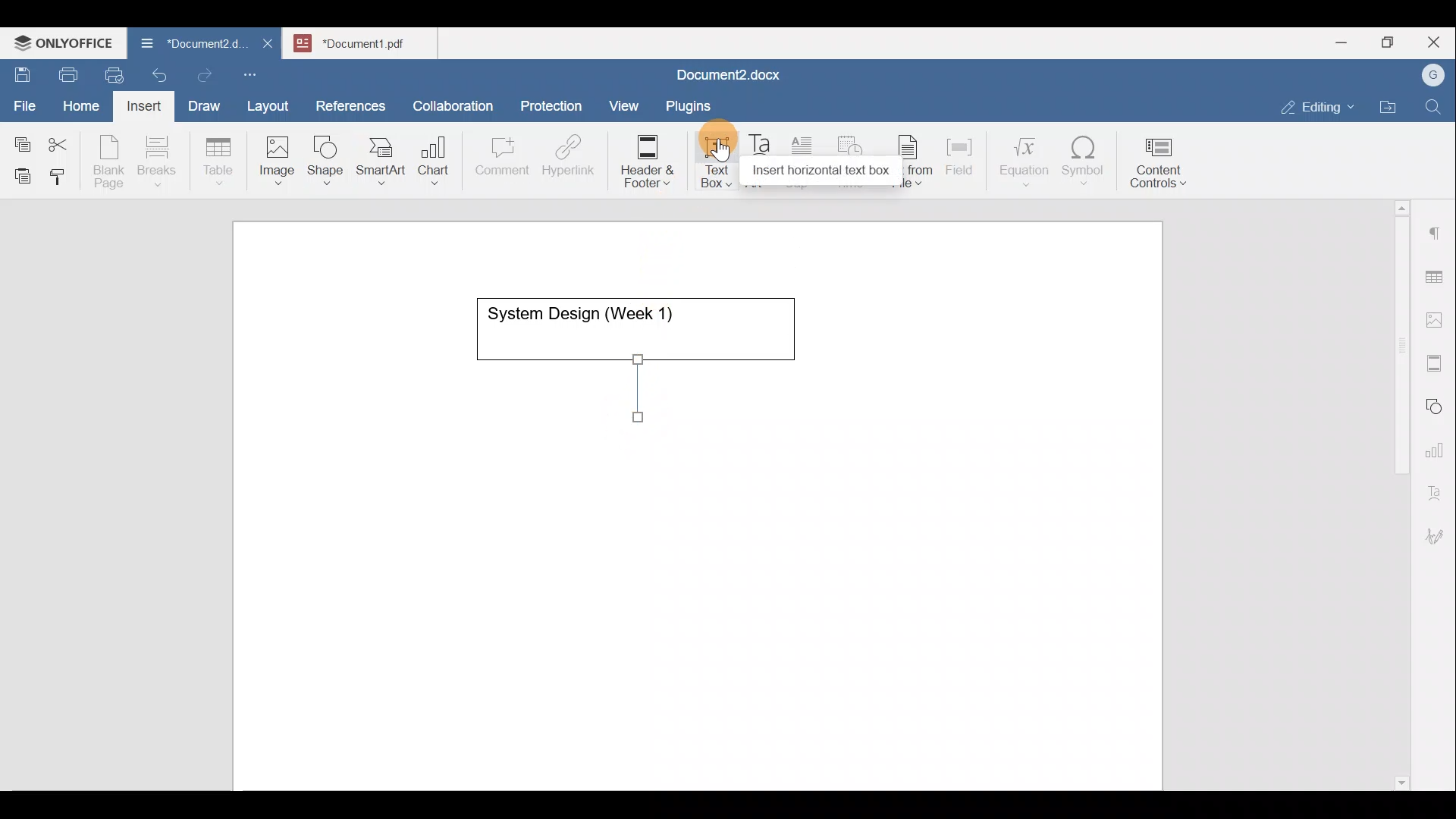 The image size is (1456, 819). What do you see at coordinates (625, 101) in the screenshot?
I see `View` at bounding box center [625, 101].